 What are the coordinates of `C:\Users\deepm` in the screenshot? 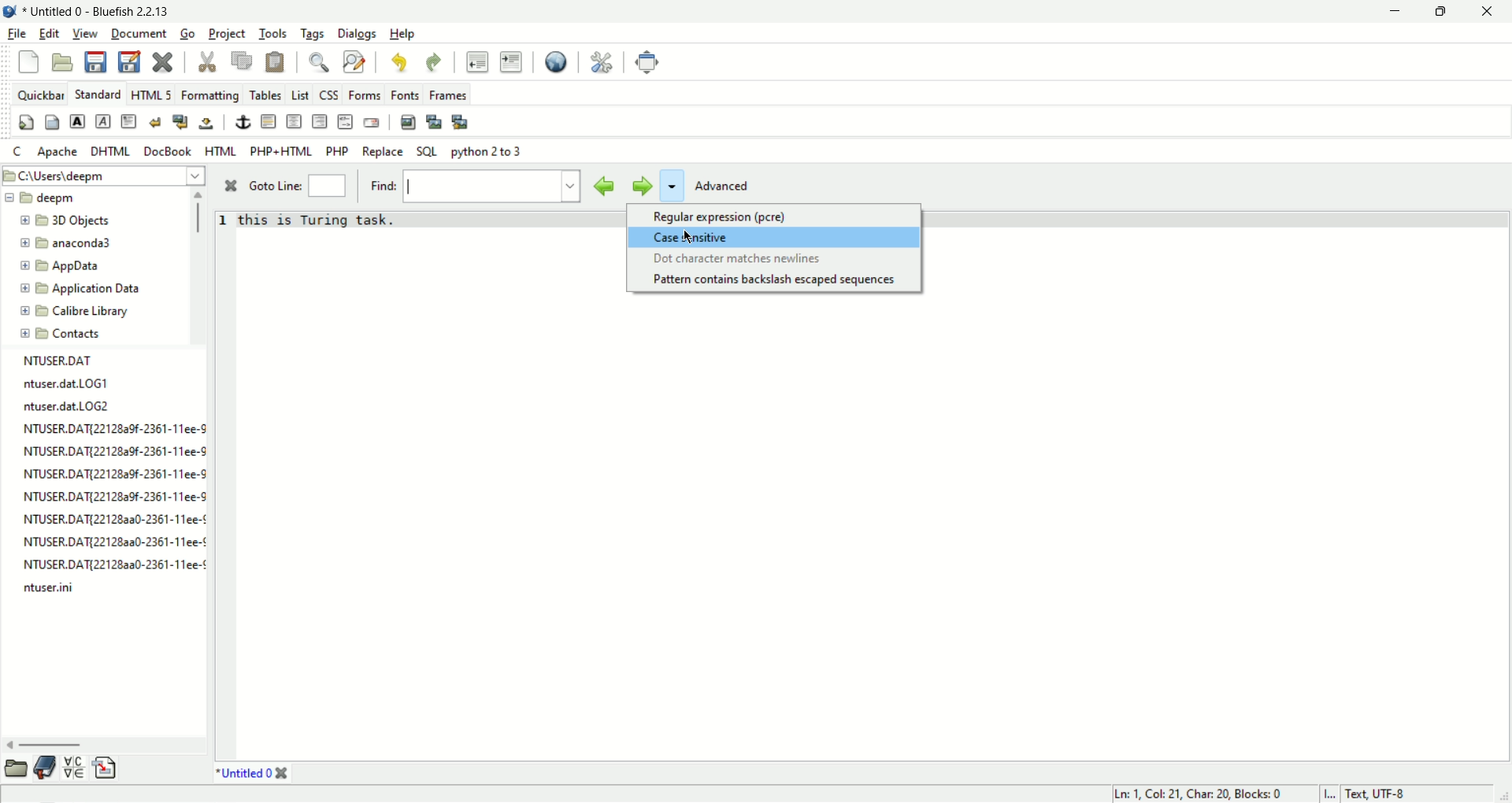 It's located at (105, 174).